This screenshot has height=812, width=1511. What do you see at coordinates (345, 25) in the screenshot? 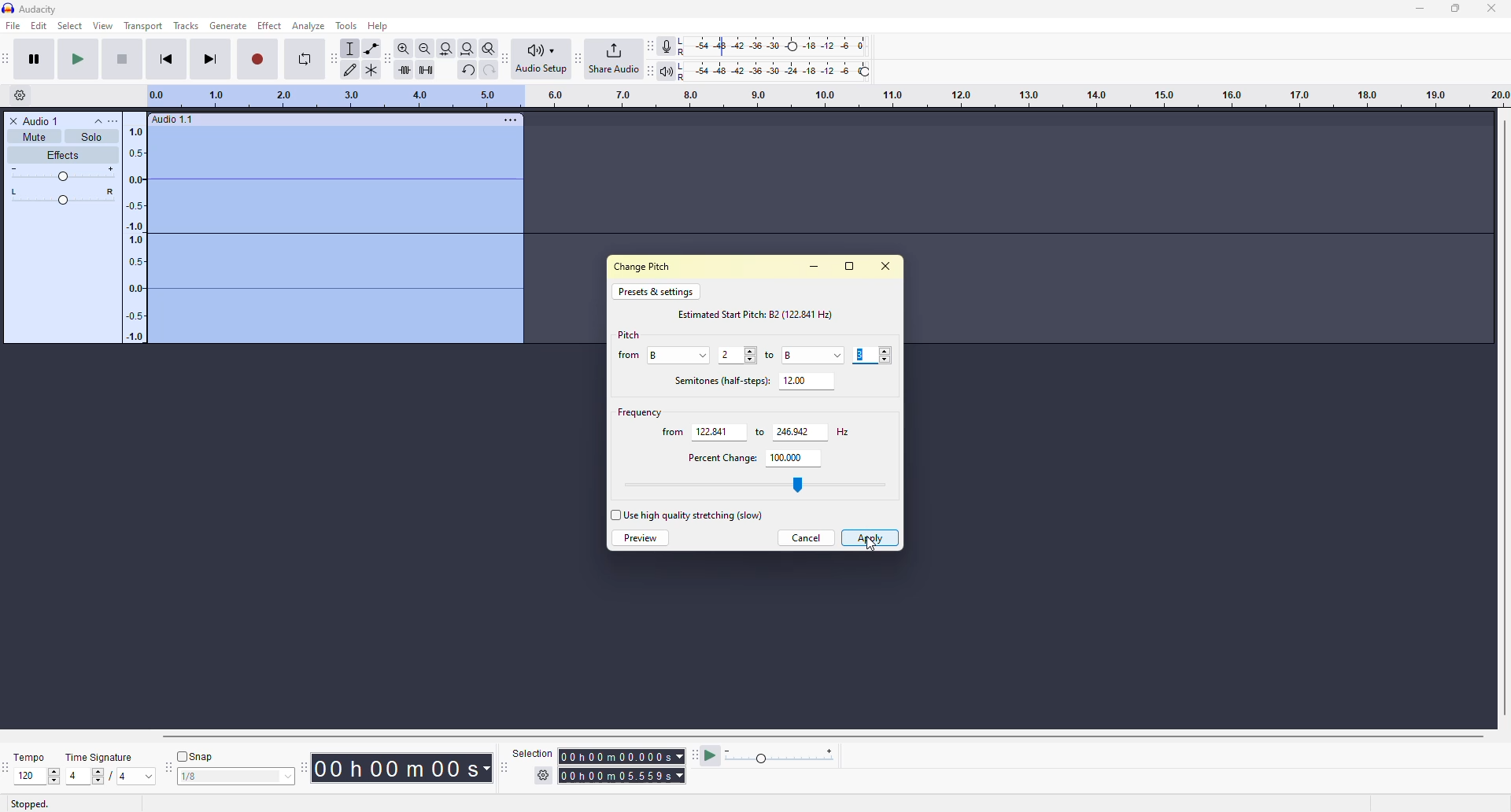
I see `tools` at bounding box center [345, 25].